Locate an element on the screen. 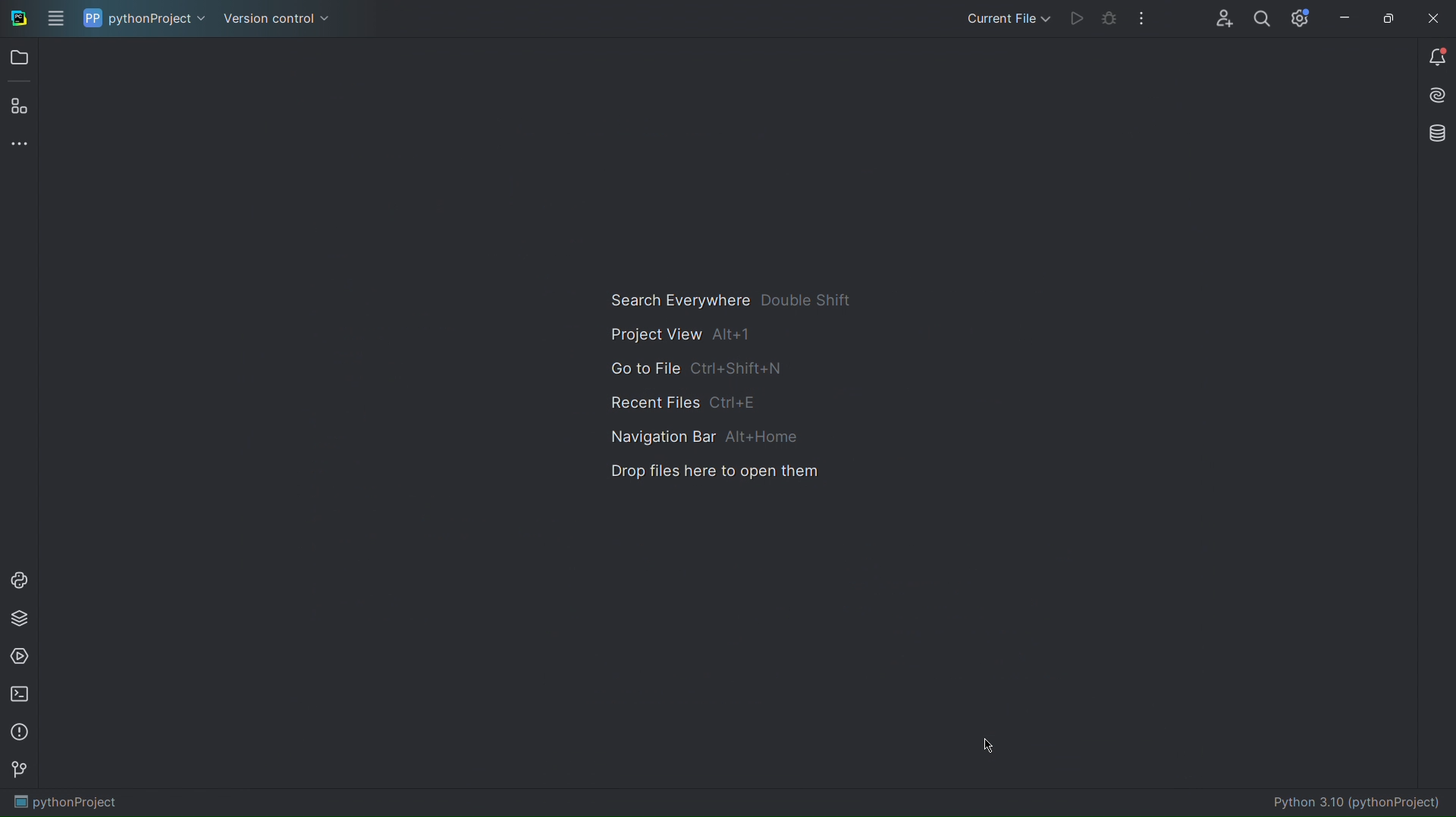 The height and width of the screenshot is (817, 1456). cursor is located at coordinates (994, 742).